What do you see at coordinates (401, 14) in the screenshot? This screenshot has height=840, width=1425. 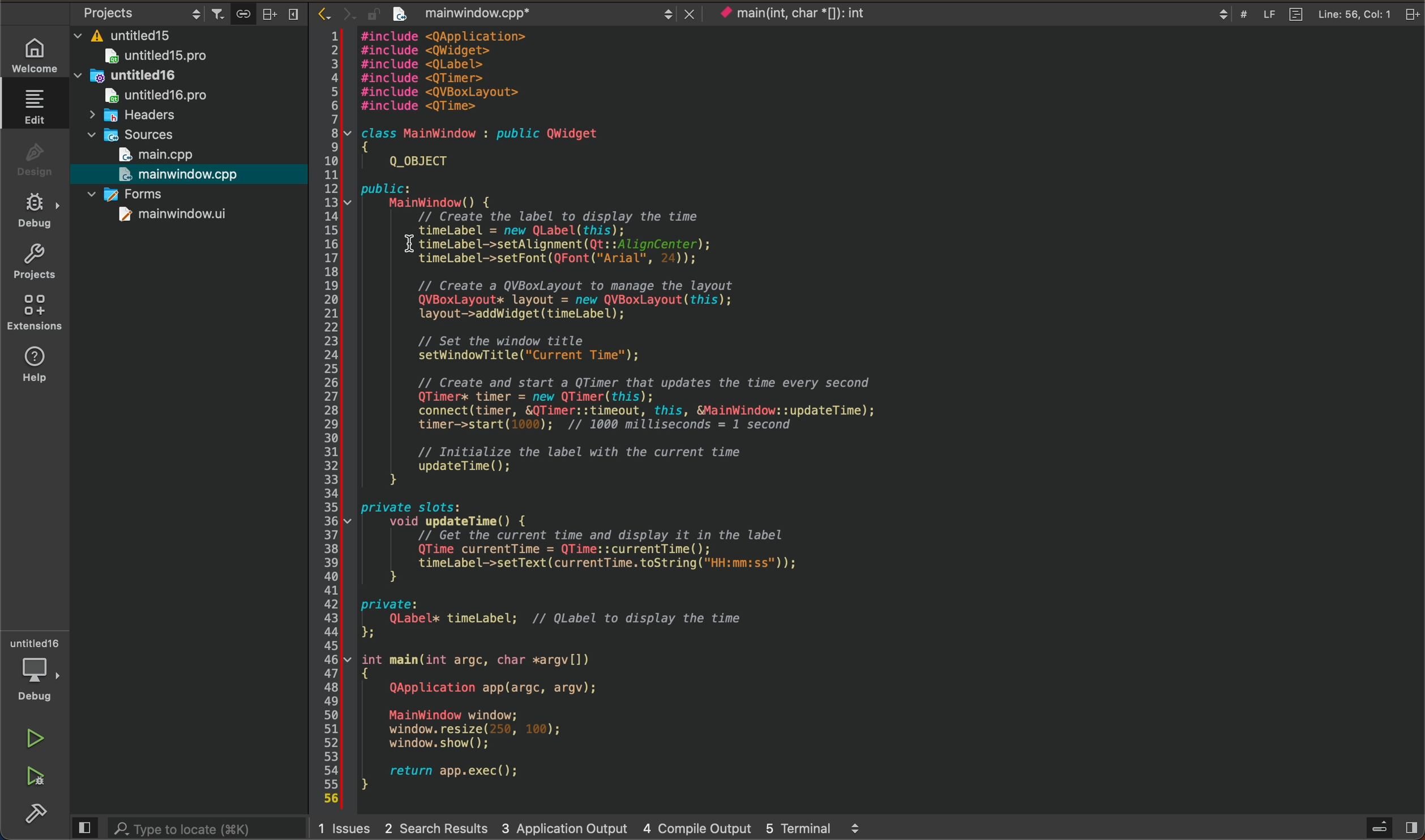 I see `create new project` at bounding box center [401, 14].